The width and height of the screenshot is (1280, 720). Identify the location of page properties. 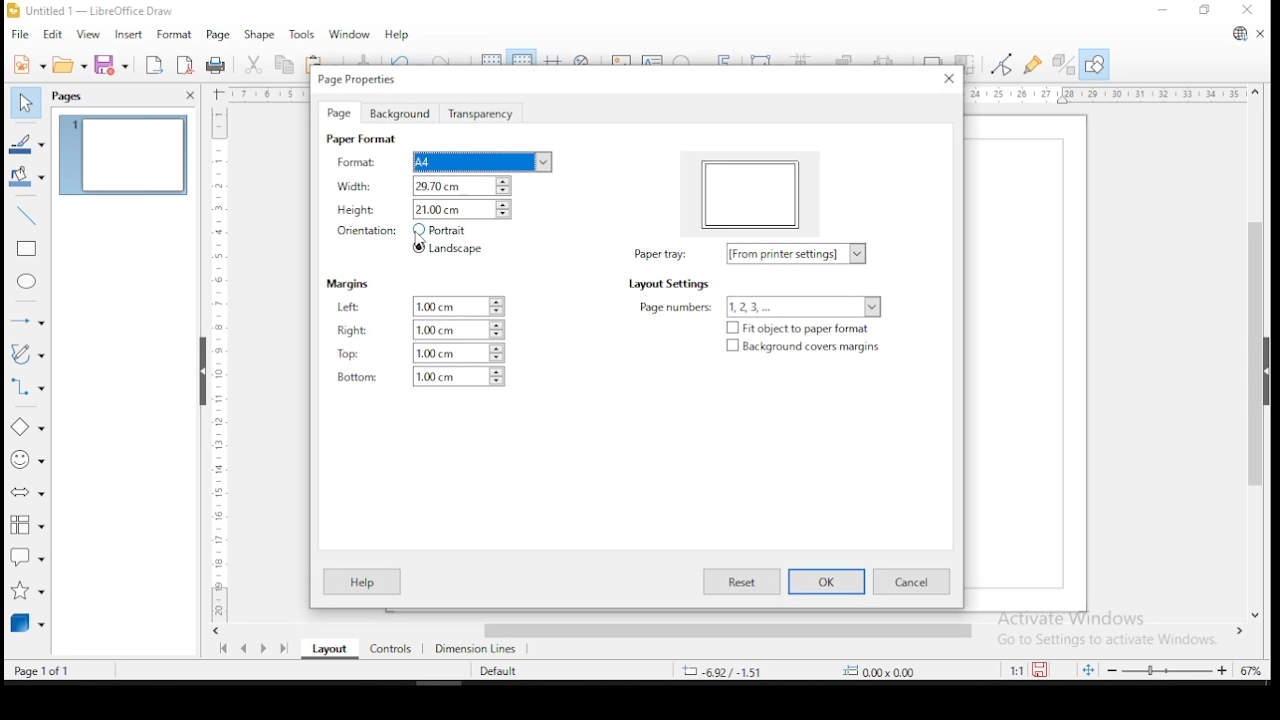
(375, 81).